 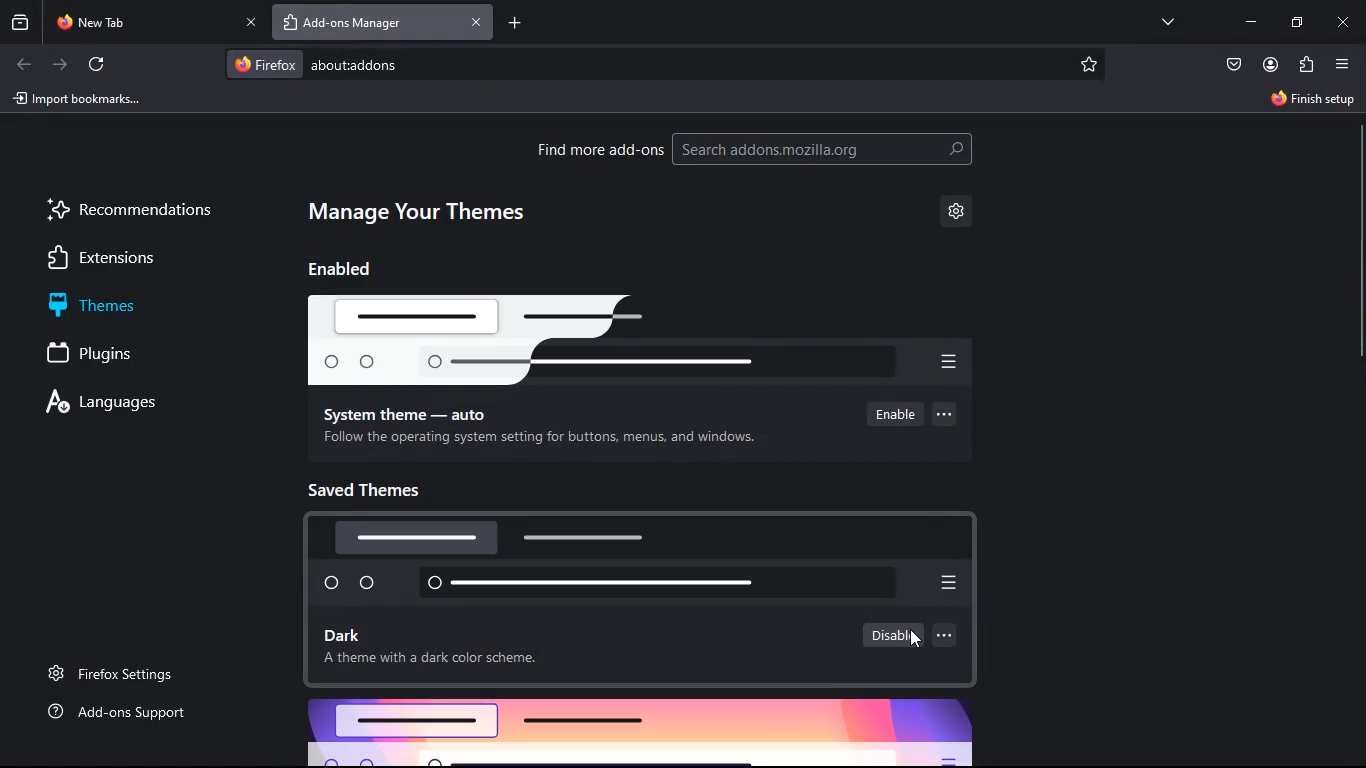 What do you see at coordinates (1344, 22) in the screenshot?
I see `close` at bounding box center [1344, 22].